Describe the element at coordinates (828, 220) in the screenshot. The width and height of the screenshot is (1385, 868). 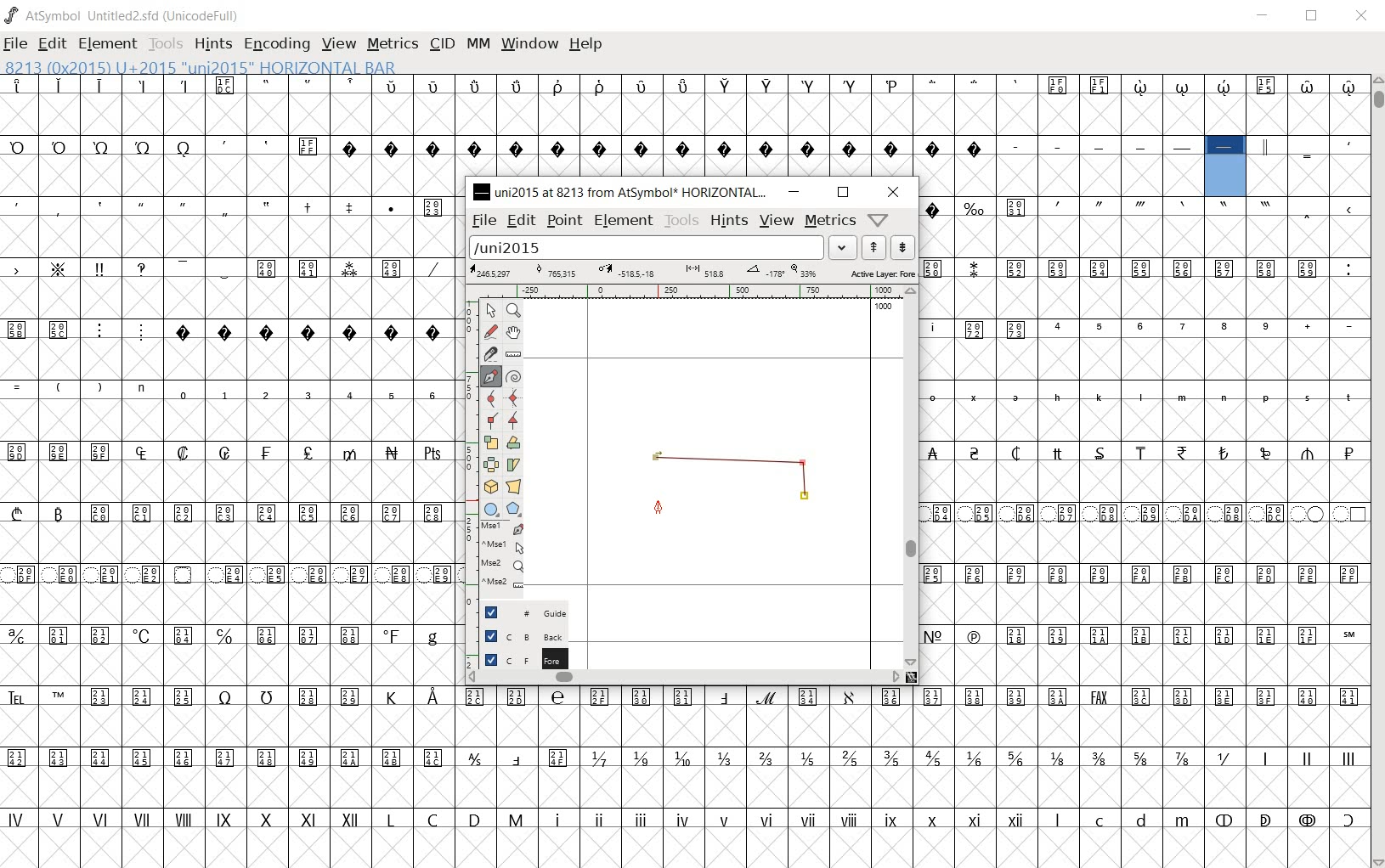
I see `metrics` at that location.